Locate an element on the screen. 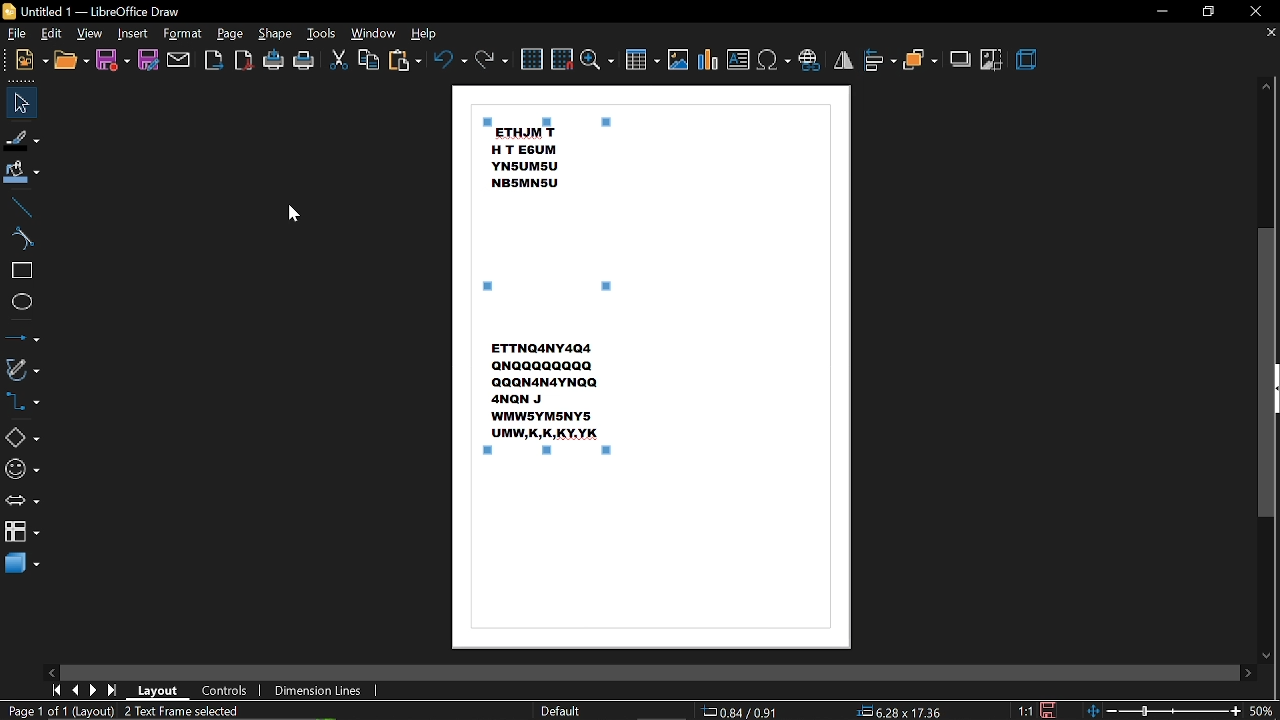 Image resolution: width=1280 pixels, height=720 pixels. close tab is located at coordinates (1270, 33).